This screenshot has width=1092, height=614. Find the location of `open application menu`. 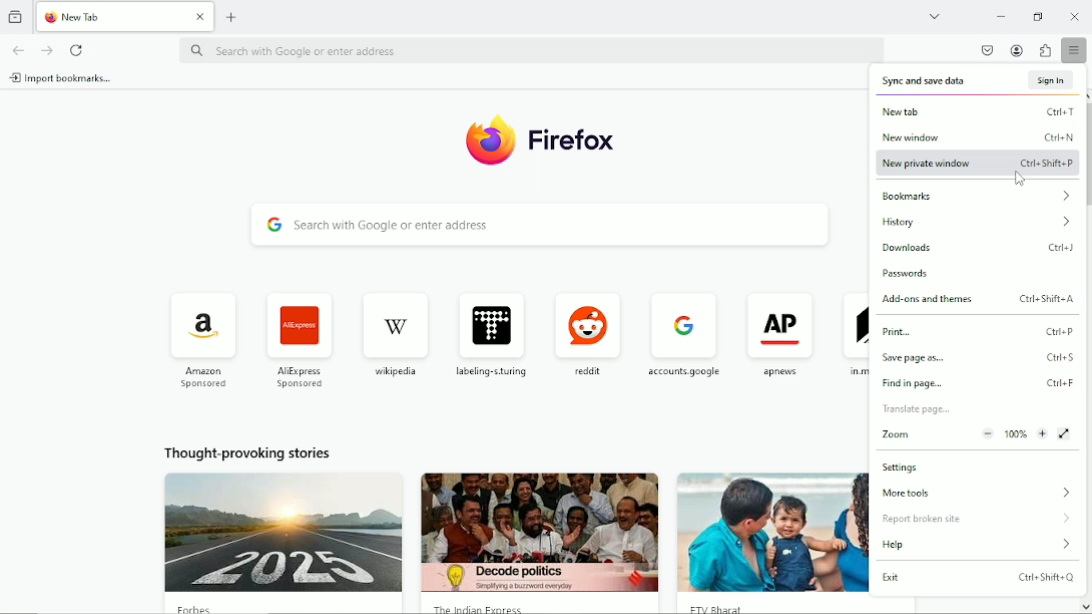

open application menu is located at coordinates (1074, 52).